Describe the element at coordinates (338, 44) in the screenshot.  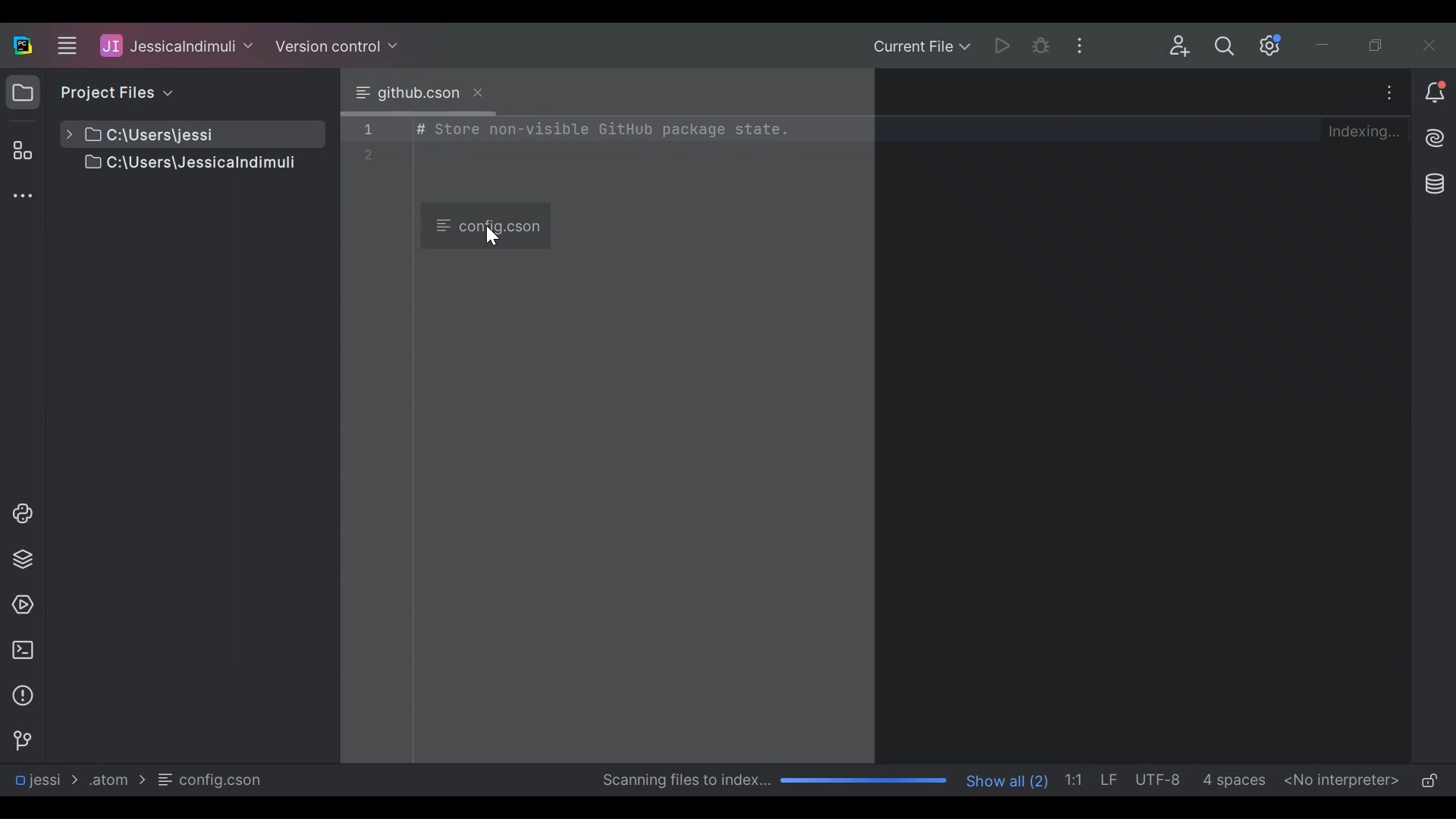
I see `Version Control` at that location.